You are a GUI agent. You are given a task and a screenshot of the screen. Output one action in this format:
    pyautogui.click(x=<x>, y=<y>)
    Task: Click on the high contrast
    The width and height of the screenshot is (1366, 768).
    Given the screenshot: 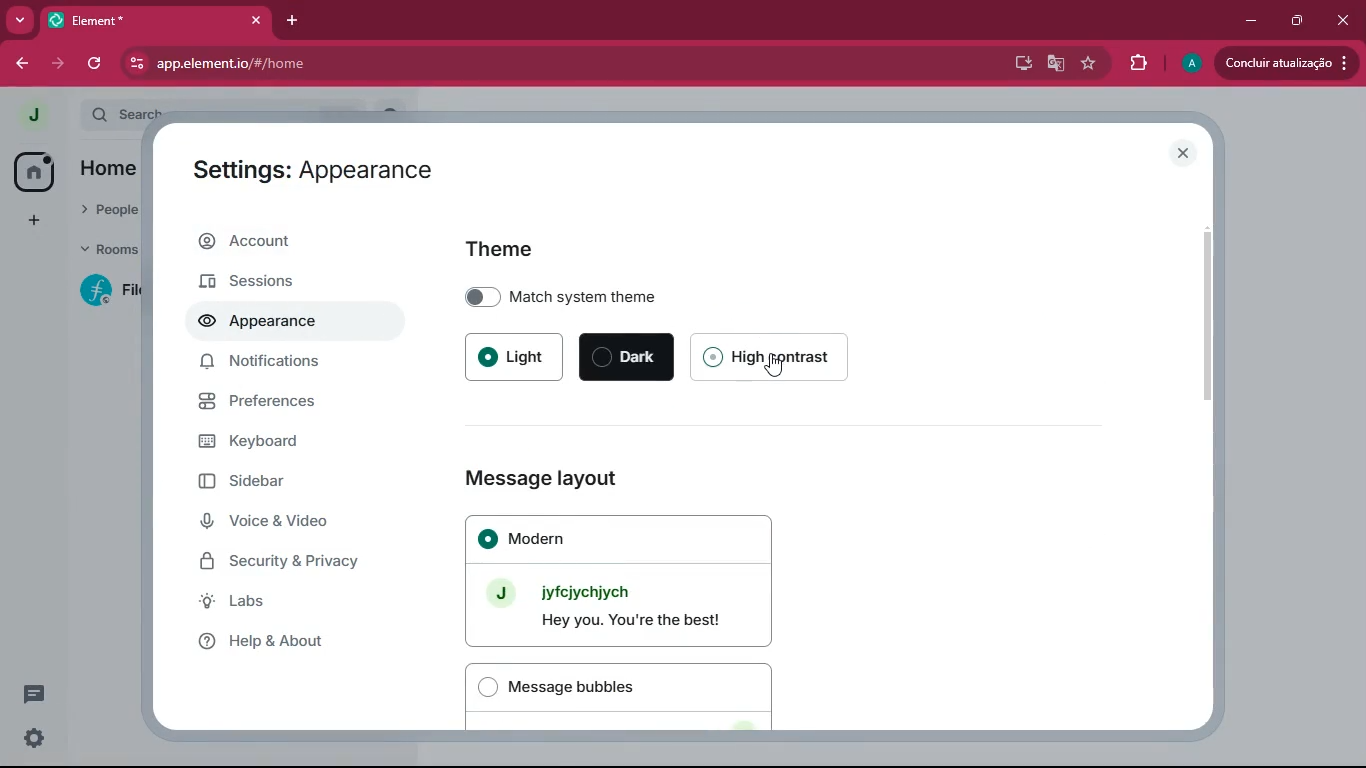 What is the action you would take?
    pyautogui.click(x=778, y=356)
    